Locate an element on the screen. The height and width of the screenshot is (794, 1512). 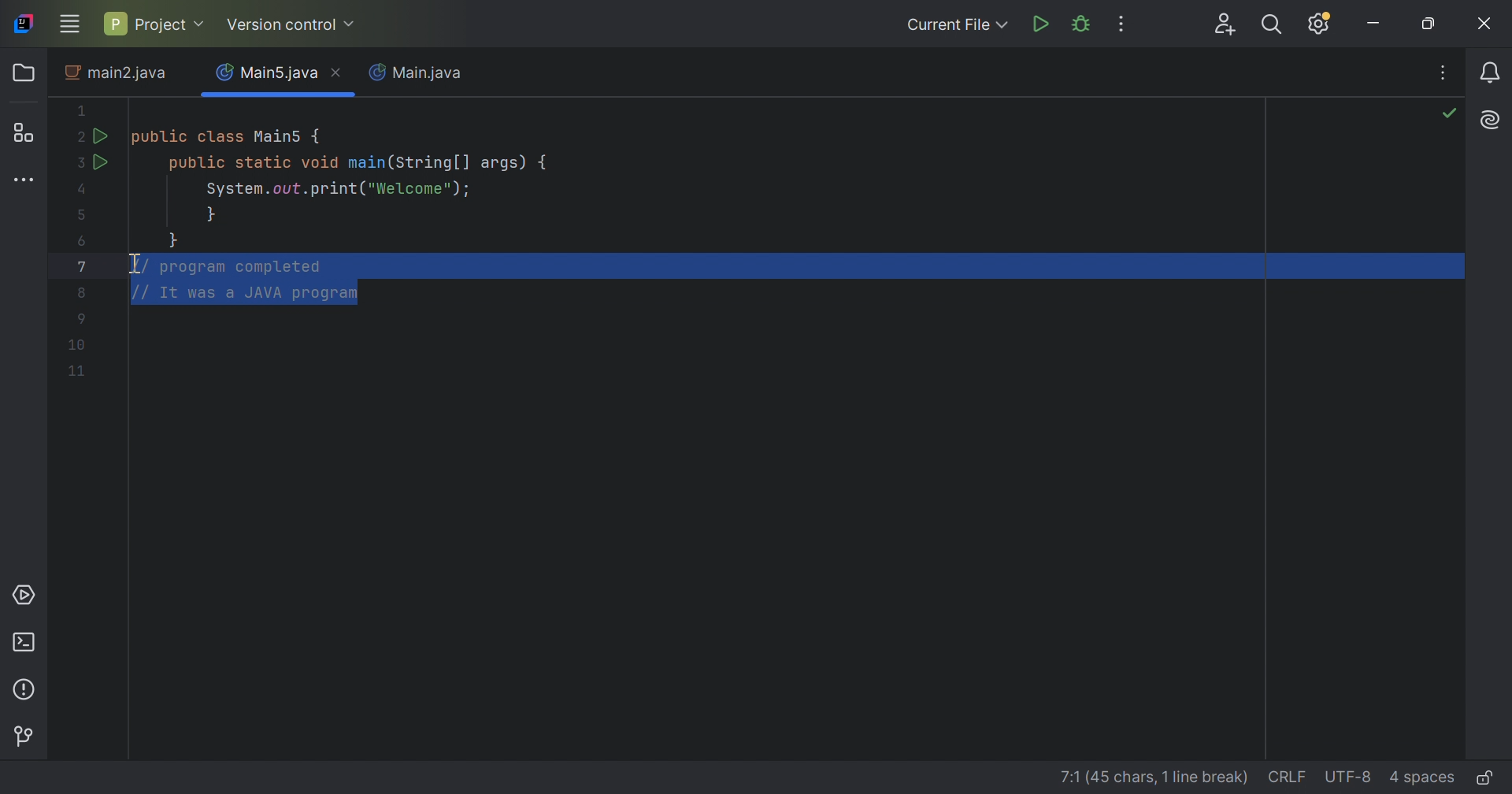
More Actions is located at coordinates (1123, 24).